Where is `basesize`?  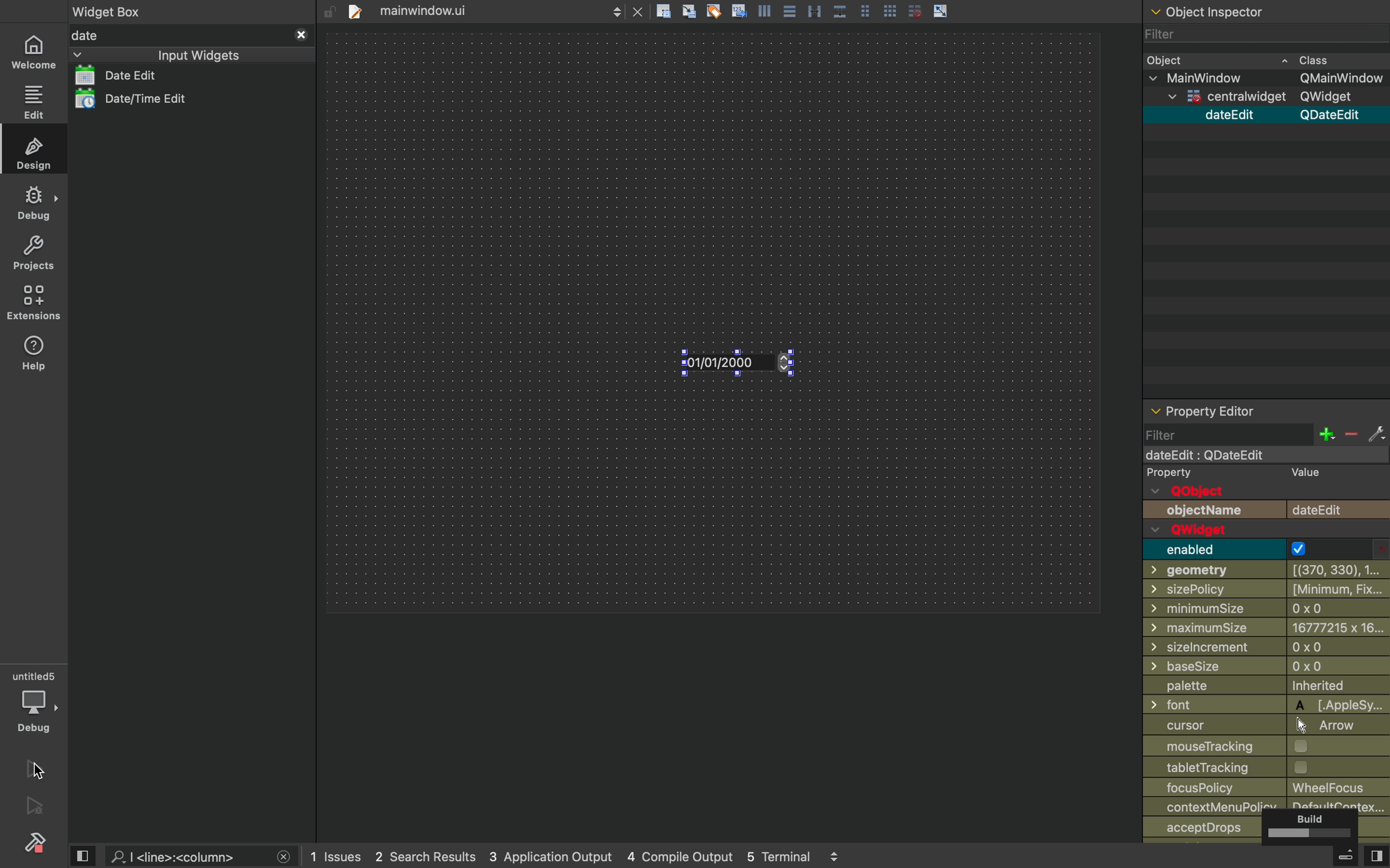 basesize is located at coordinates (1261, 666).